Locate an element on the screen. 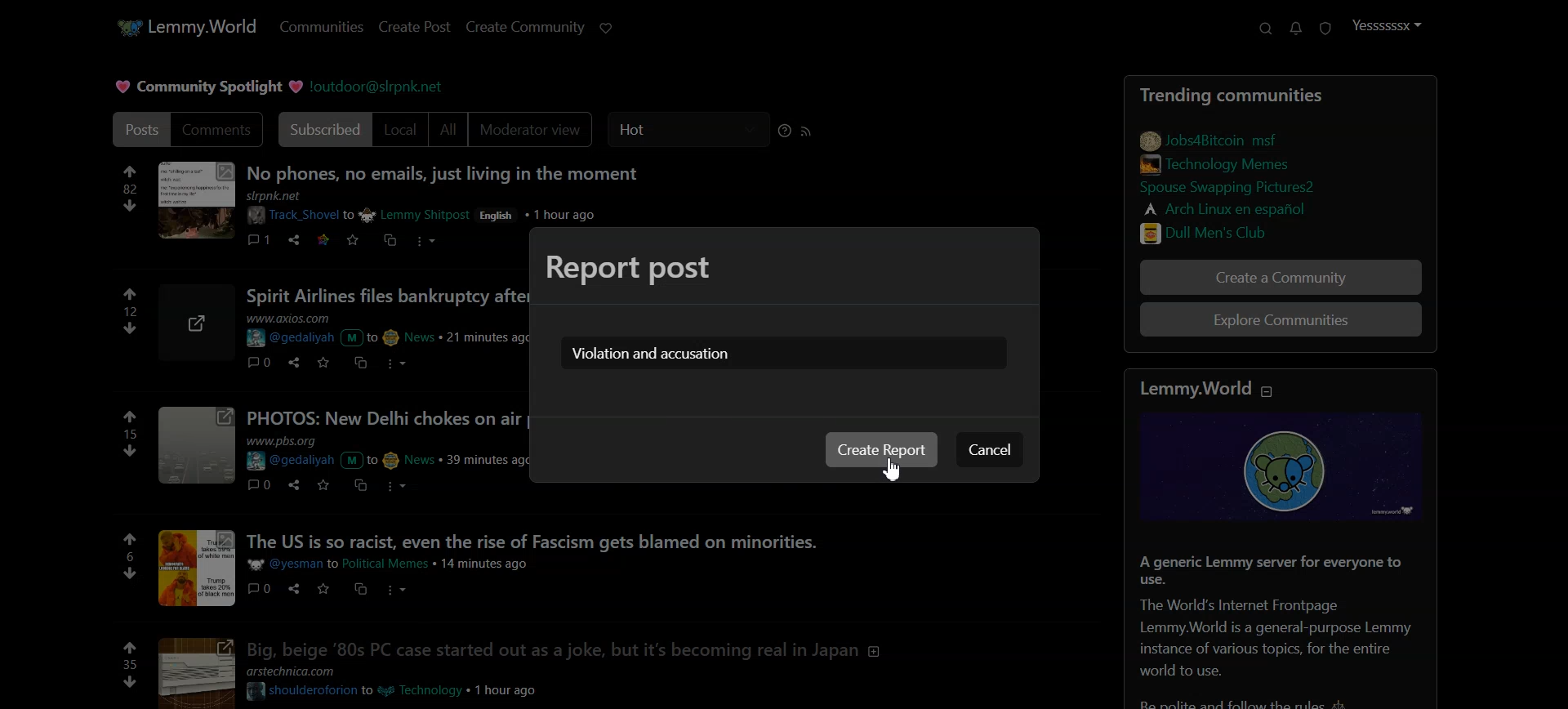  share is located at coordinates (292, 484).